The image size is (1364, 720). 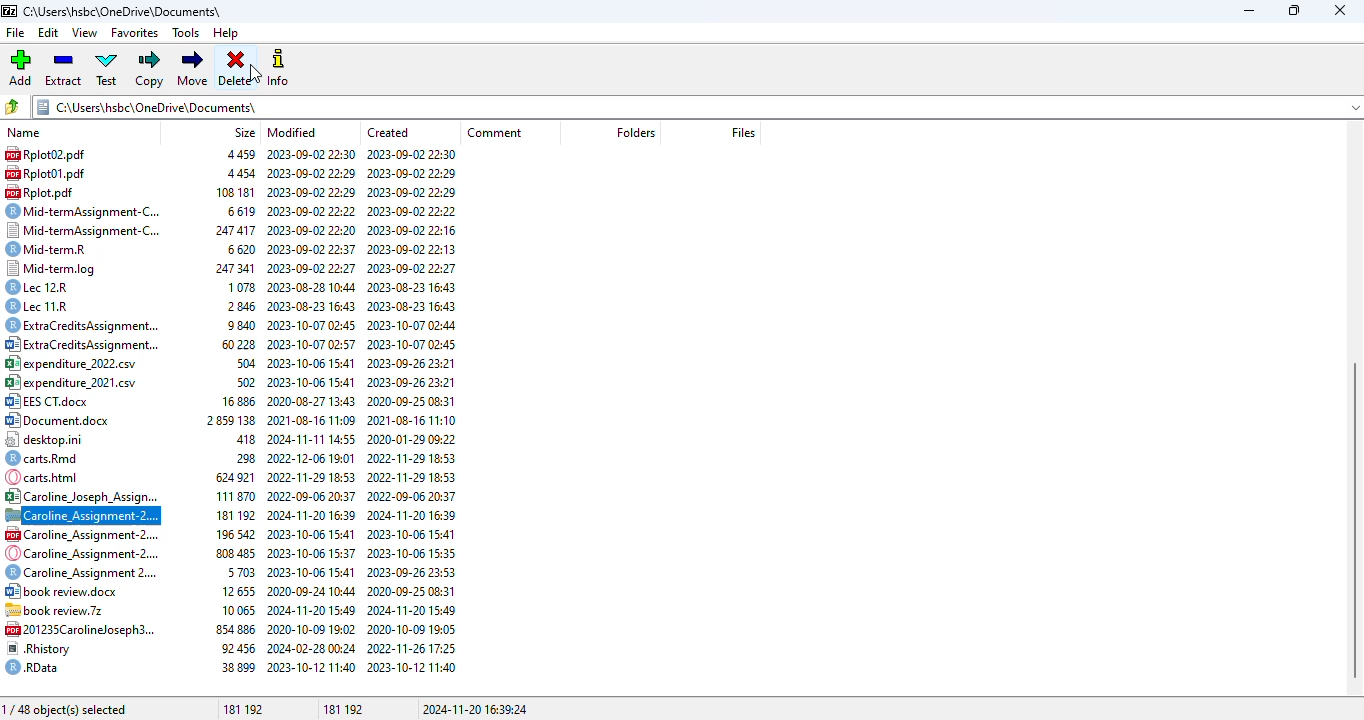 What do you see at coordinates (243, 304) in the screenshot?
I see `2846` at bounding box center [243, 304].